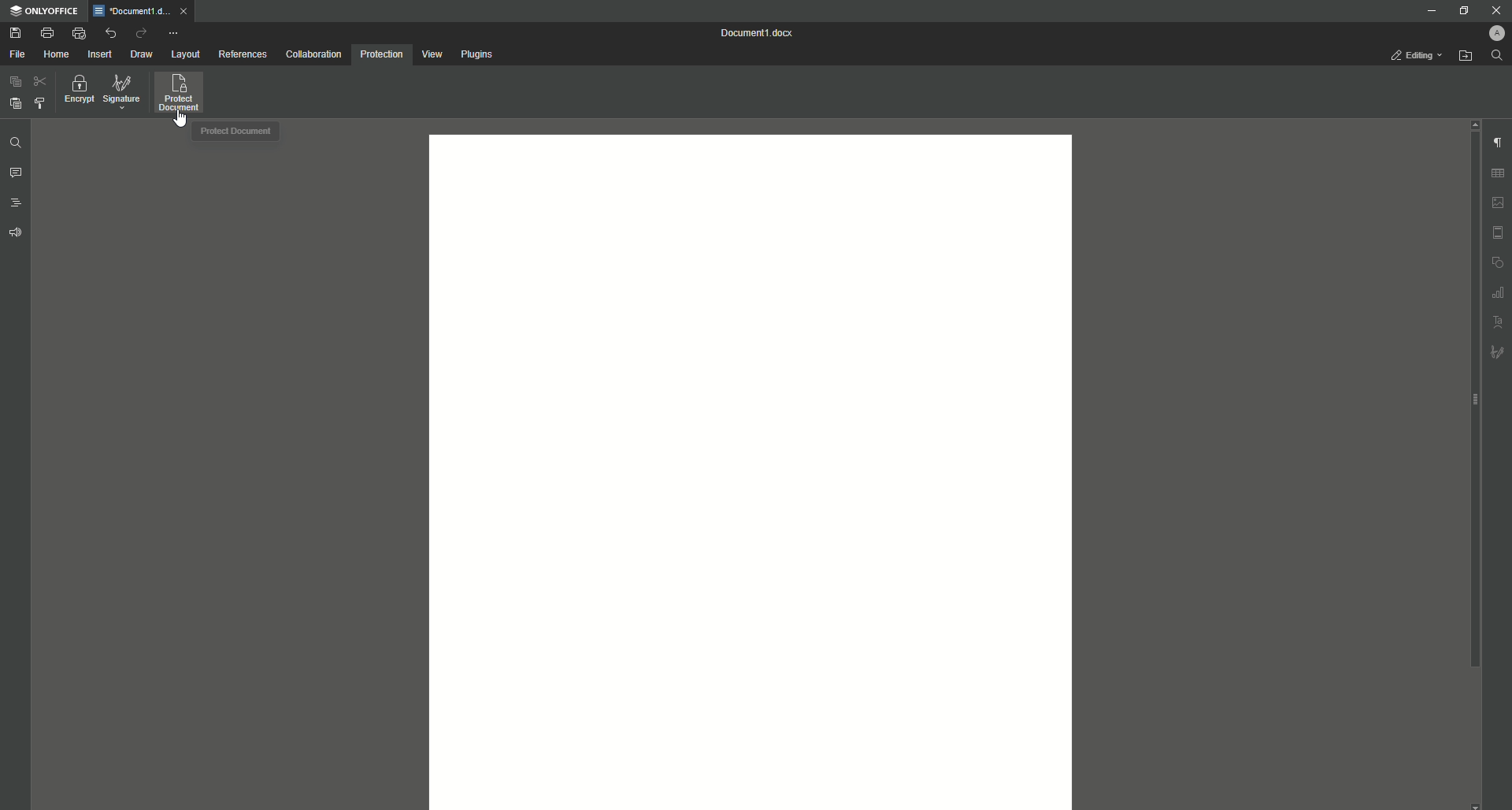  I want to click on Cursor, so click(180, 119).